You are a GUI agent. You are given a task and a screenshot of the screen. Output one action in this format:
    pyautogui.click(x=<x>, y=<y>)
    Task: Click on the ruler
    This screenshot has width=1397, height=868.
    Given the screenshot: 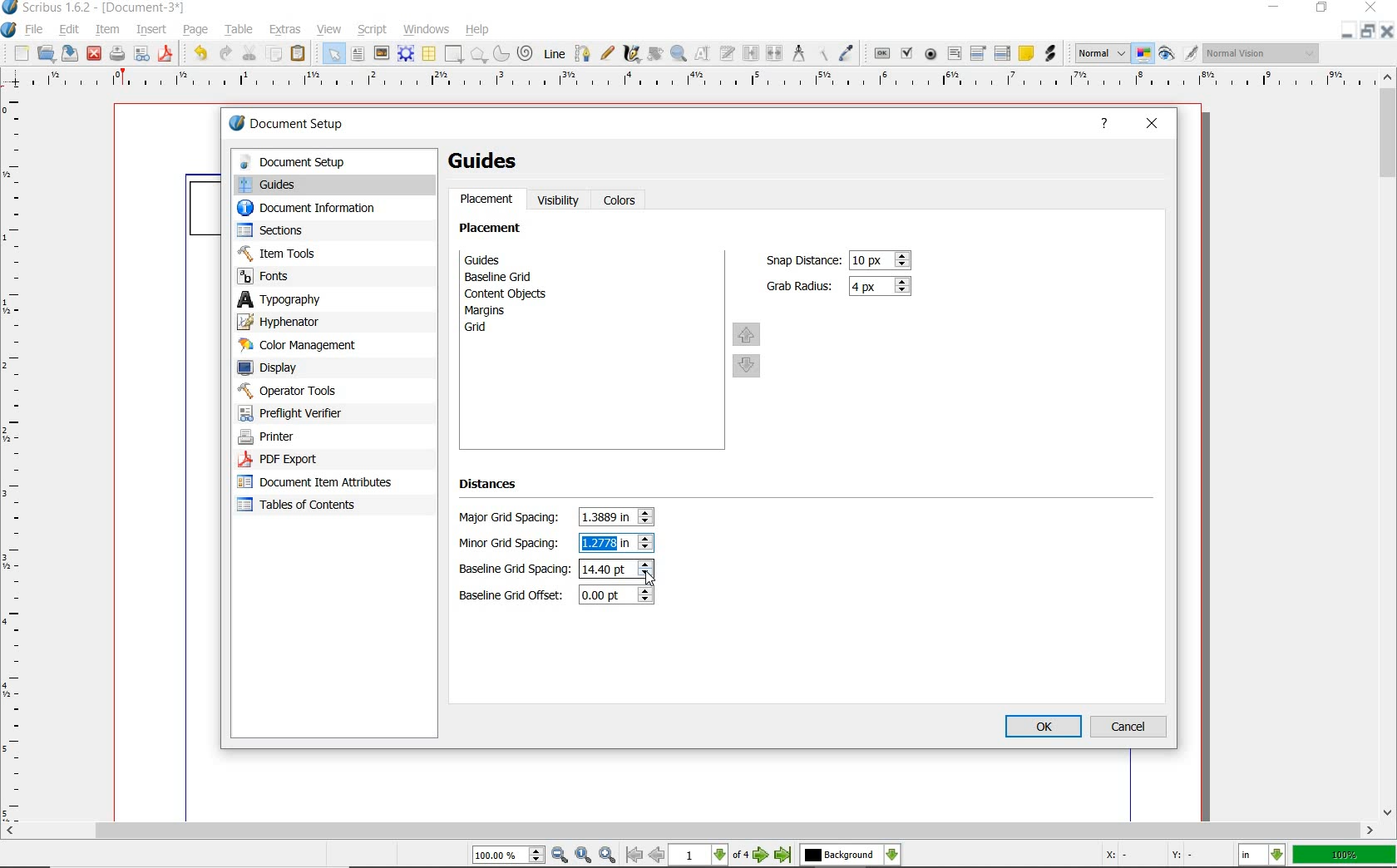 What is the action you would take?
    pyautogui.click(x=692, y=83)
    